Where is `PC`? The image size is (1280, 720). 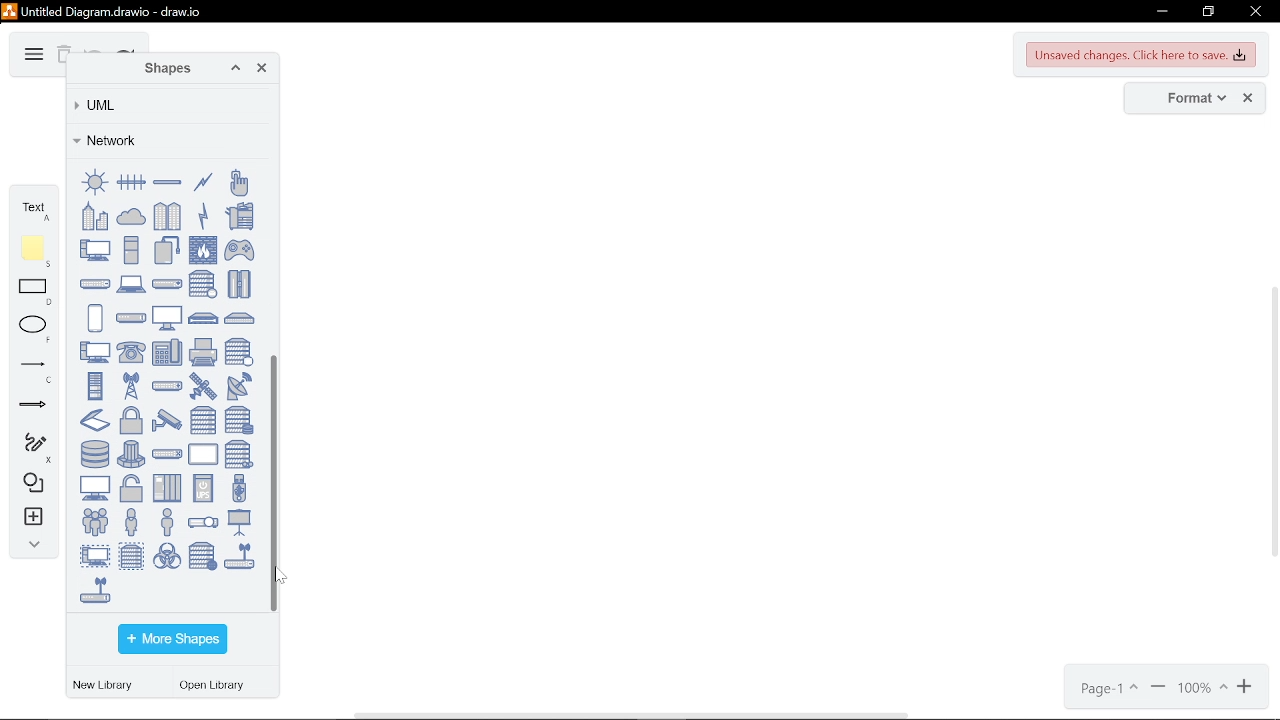
PC is located at coordinates (95, 352).